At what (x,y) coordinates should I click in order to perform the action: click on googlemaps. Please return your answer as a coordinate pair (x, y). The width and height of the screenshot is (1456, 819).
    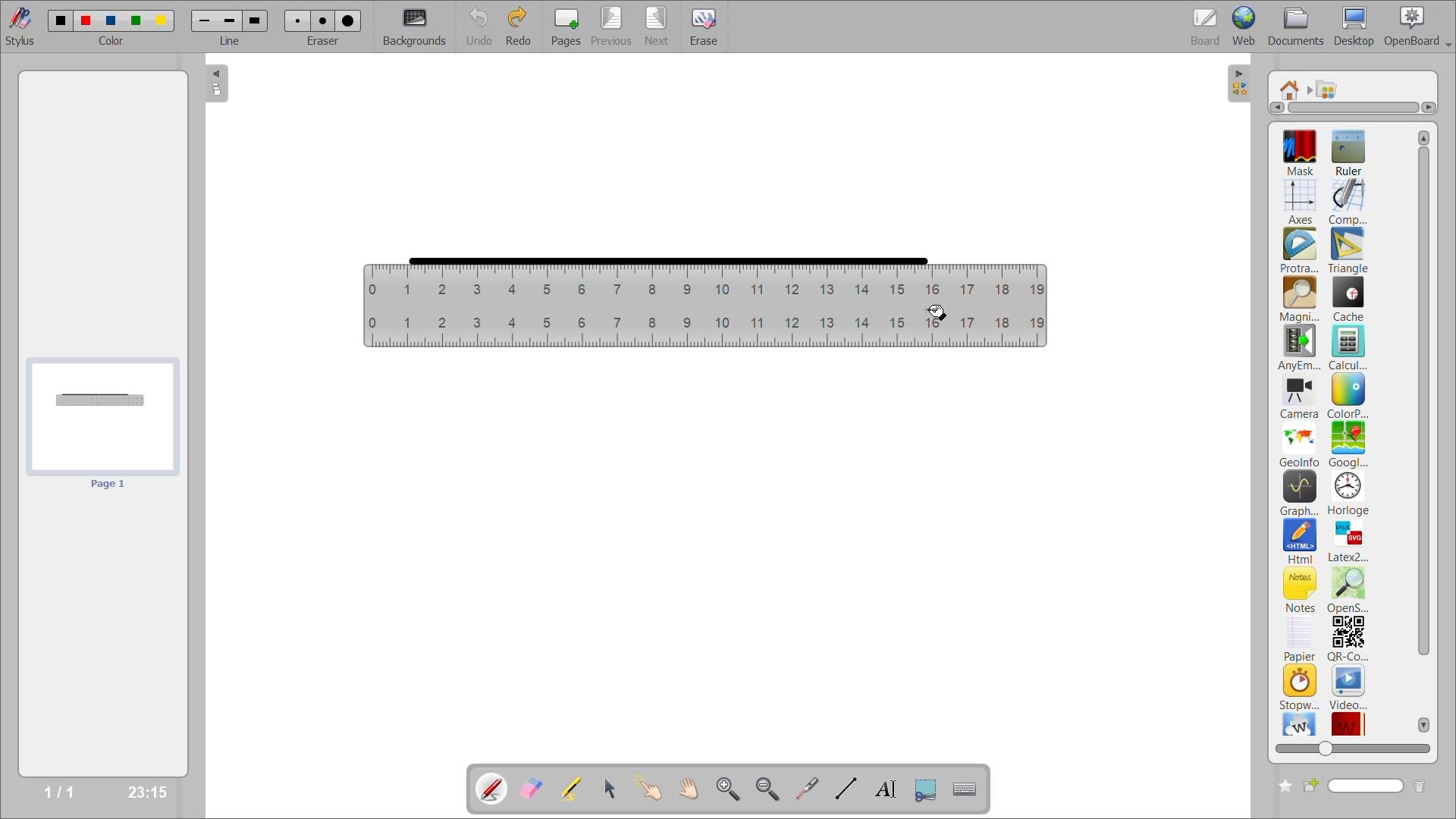
    Looking at the image, I should click on (1347, 444).